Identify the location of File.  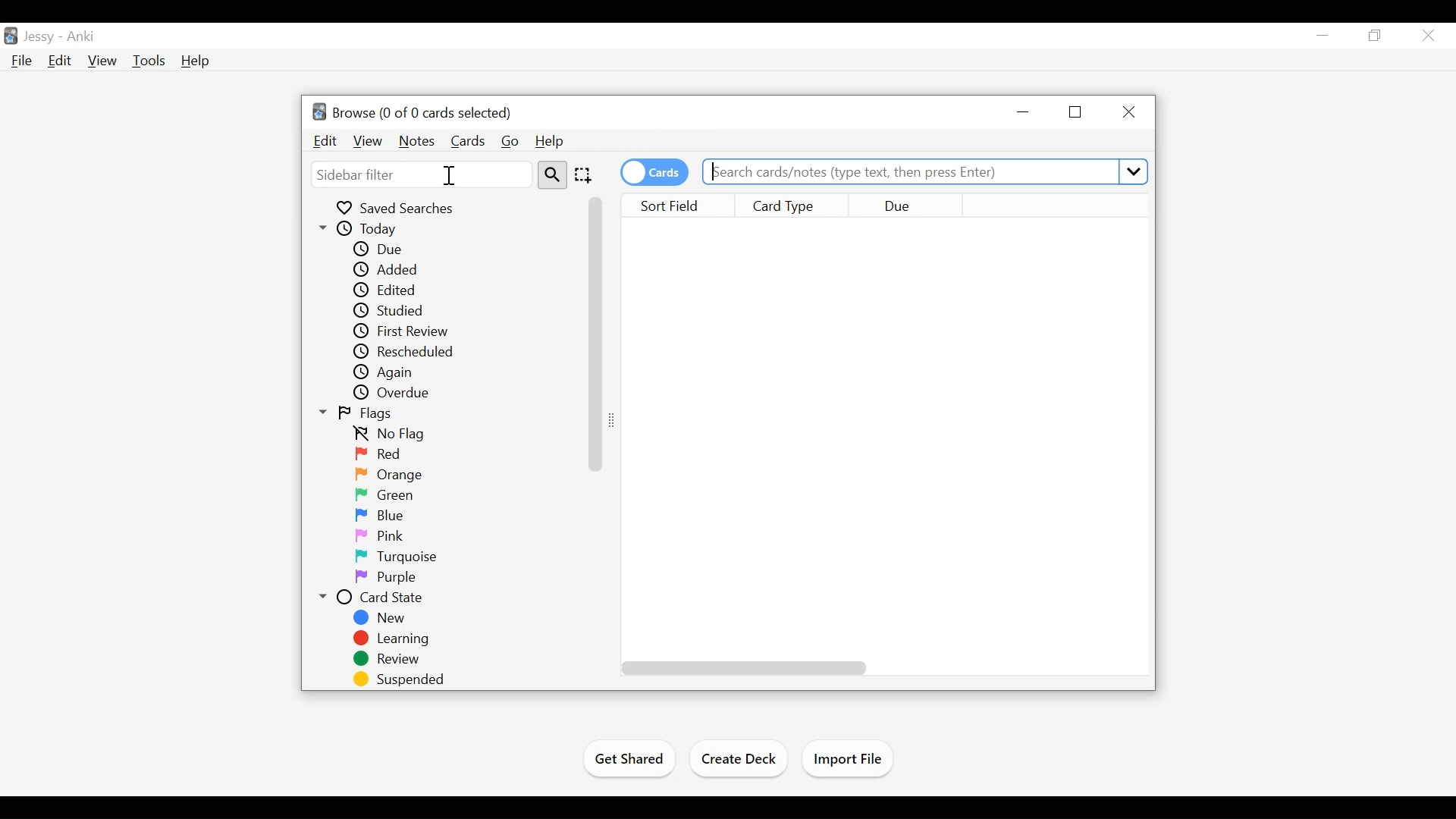
(24, 61).